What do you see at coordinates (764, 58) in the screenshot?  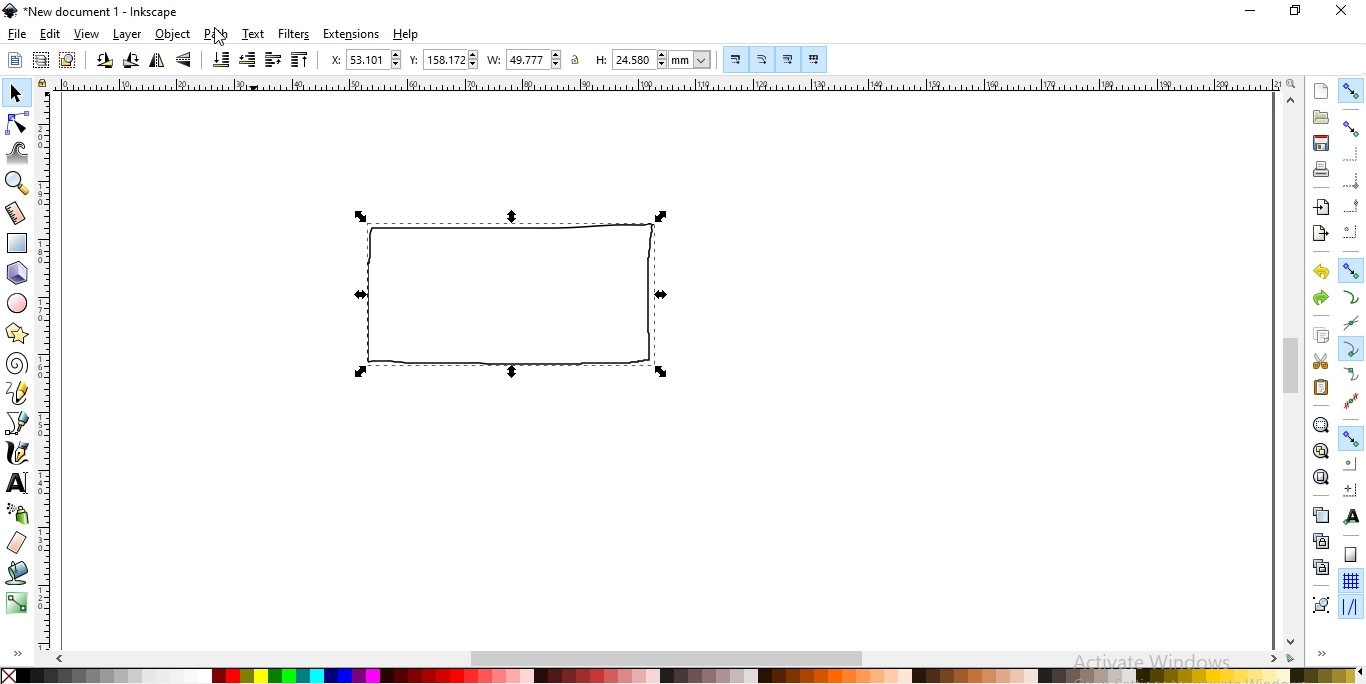 I see `` at bounding box center [764, 58].